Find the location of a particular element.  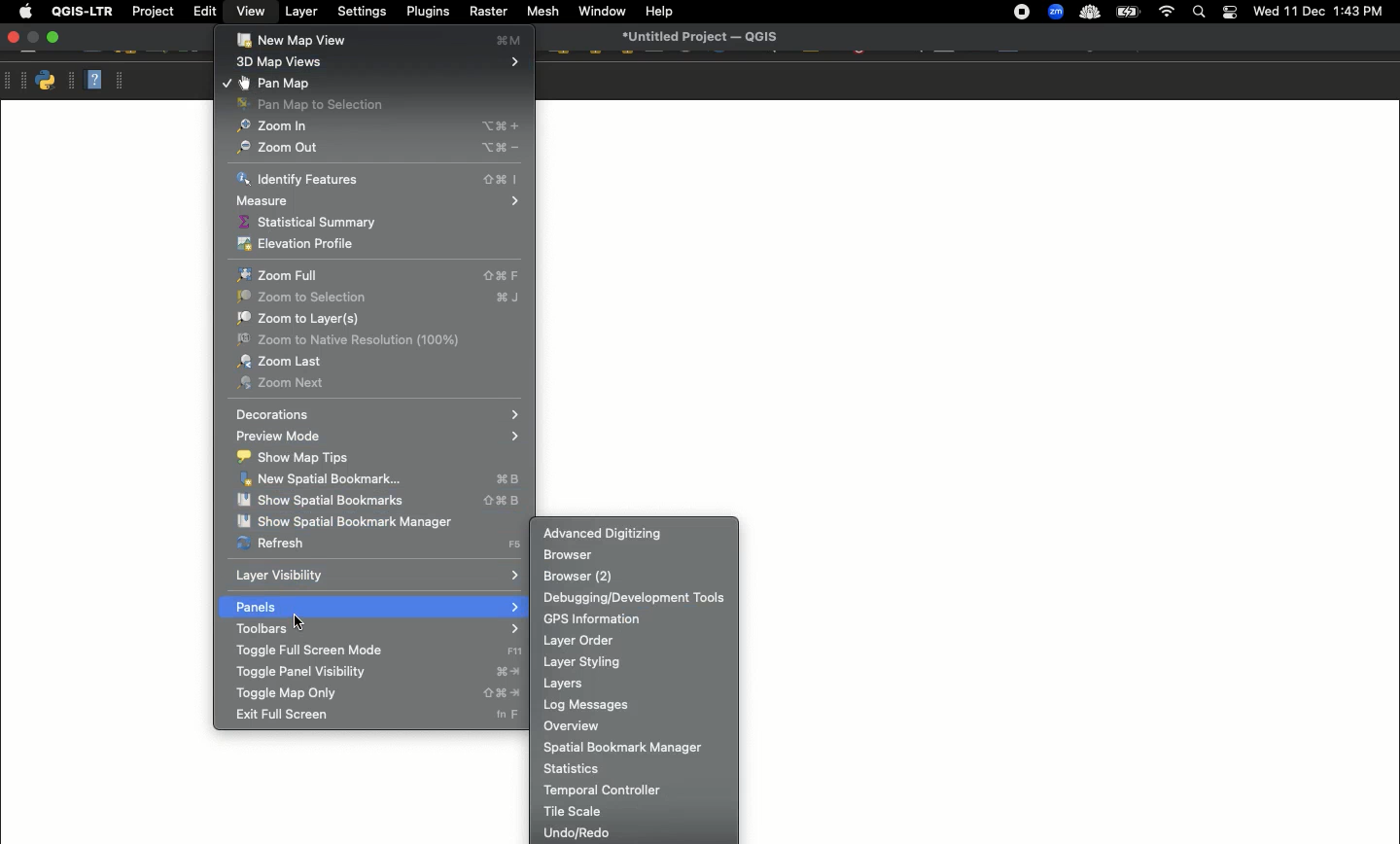

Pan map to selection is located at coordinates (368, 104).